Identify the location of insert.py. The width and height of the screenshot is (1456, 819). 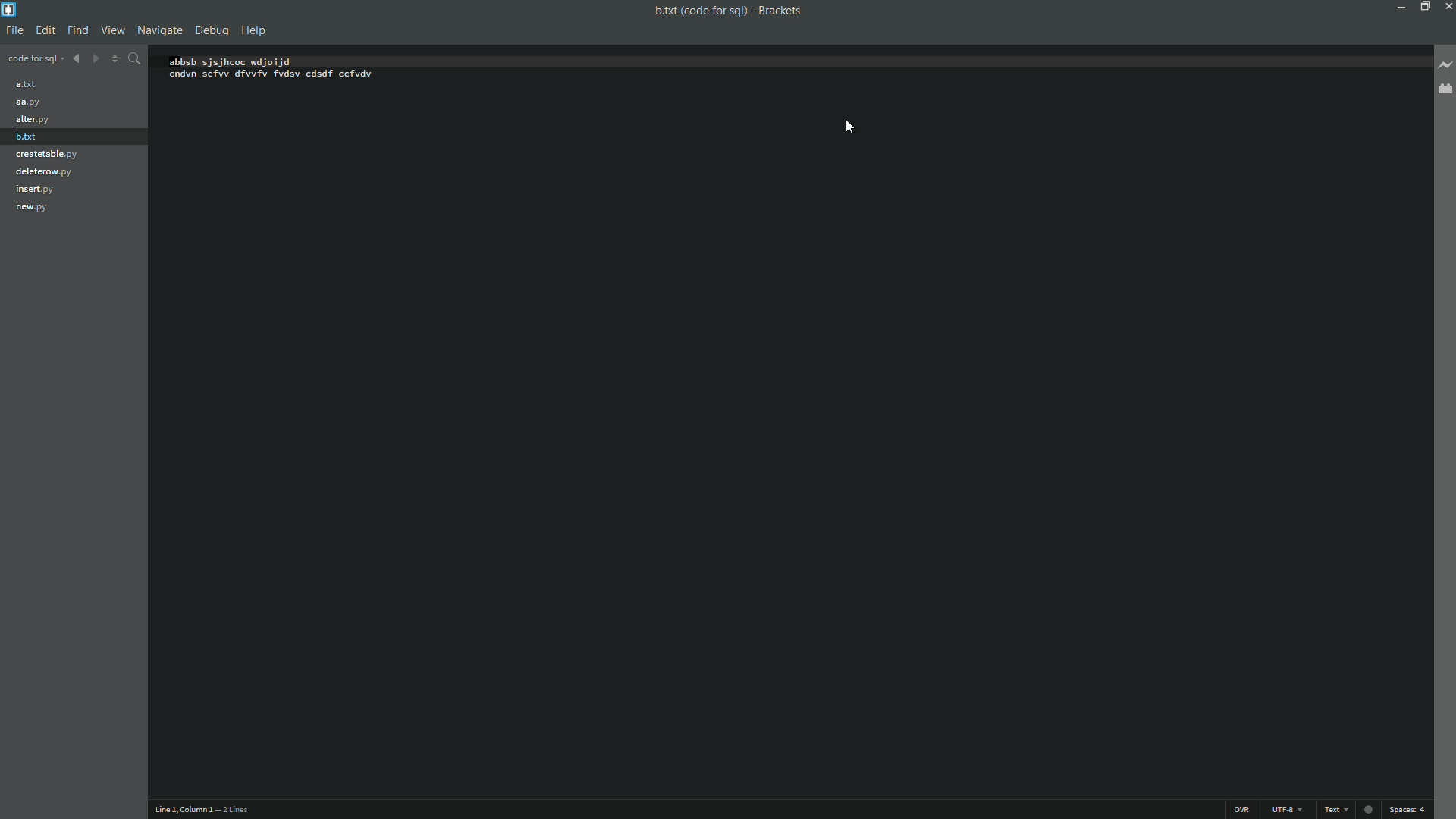
(39, 189).